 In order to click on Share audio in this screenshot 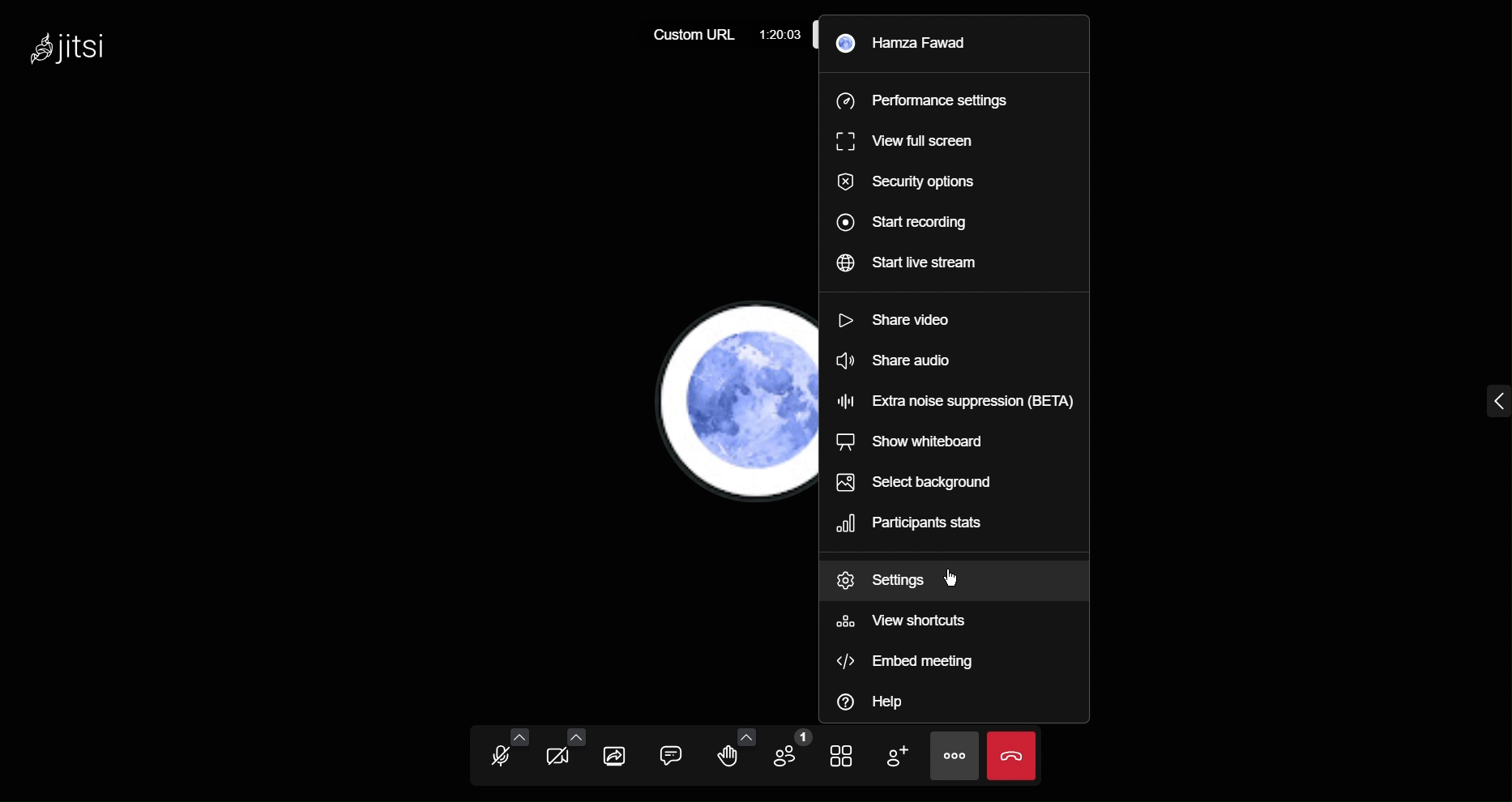, I will do `click(892, 359)`.